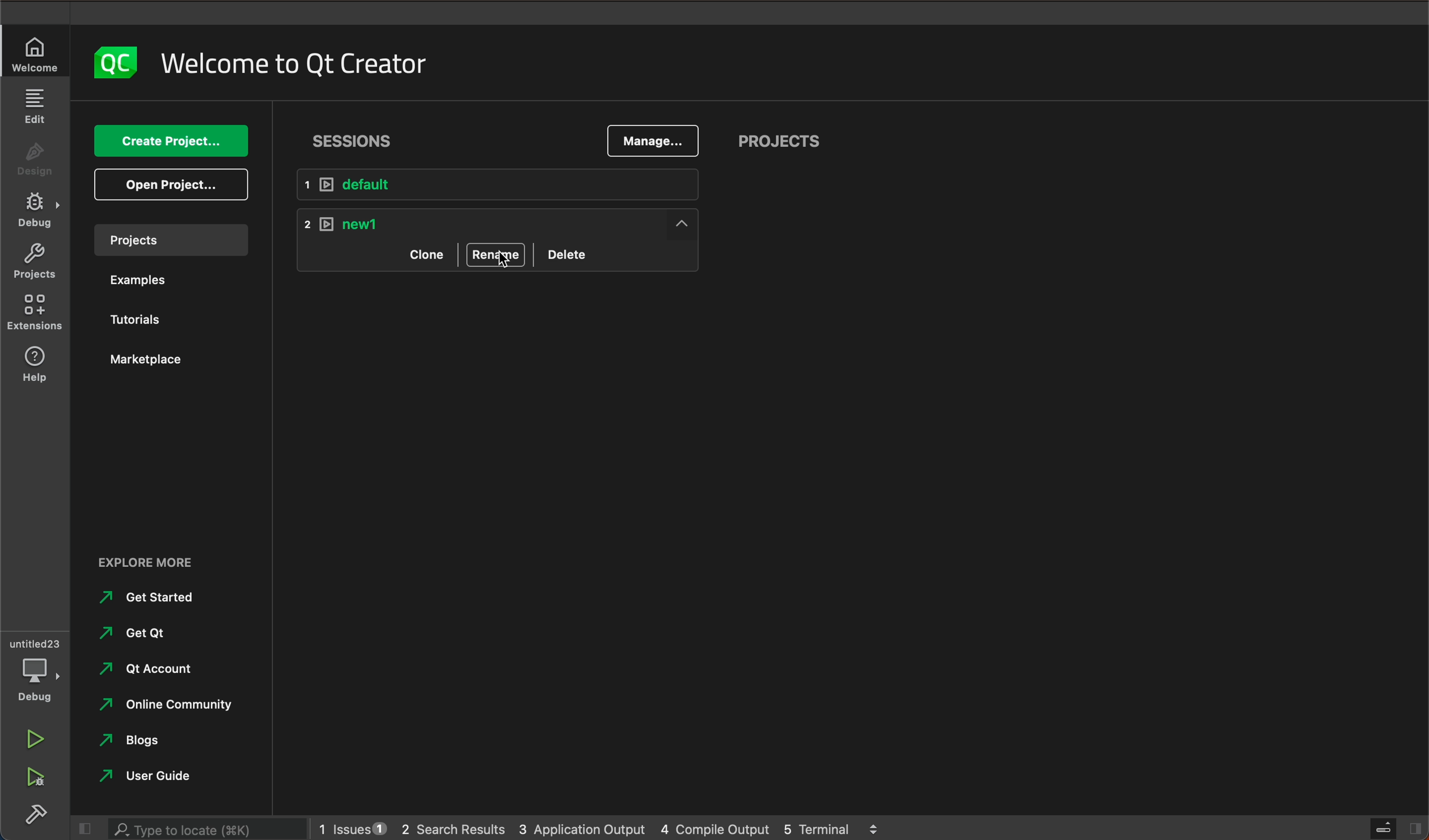 This screenshot has width=1429, height=840. I want to click on project, so click(34, 262).